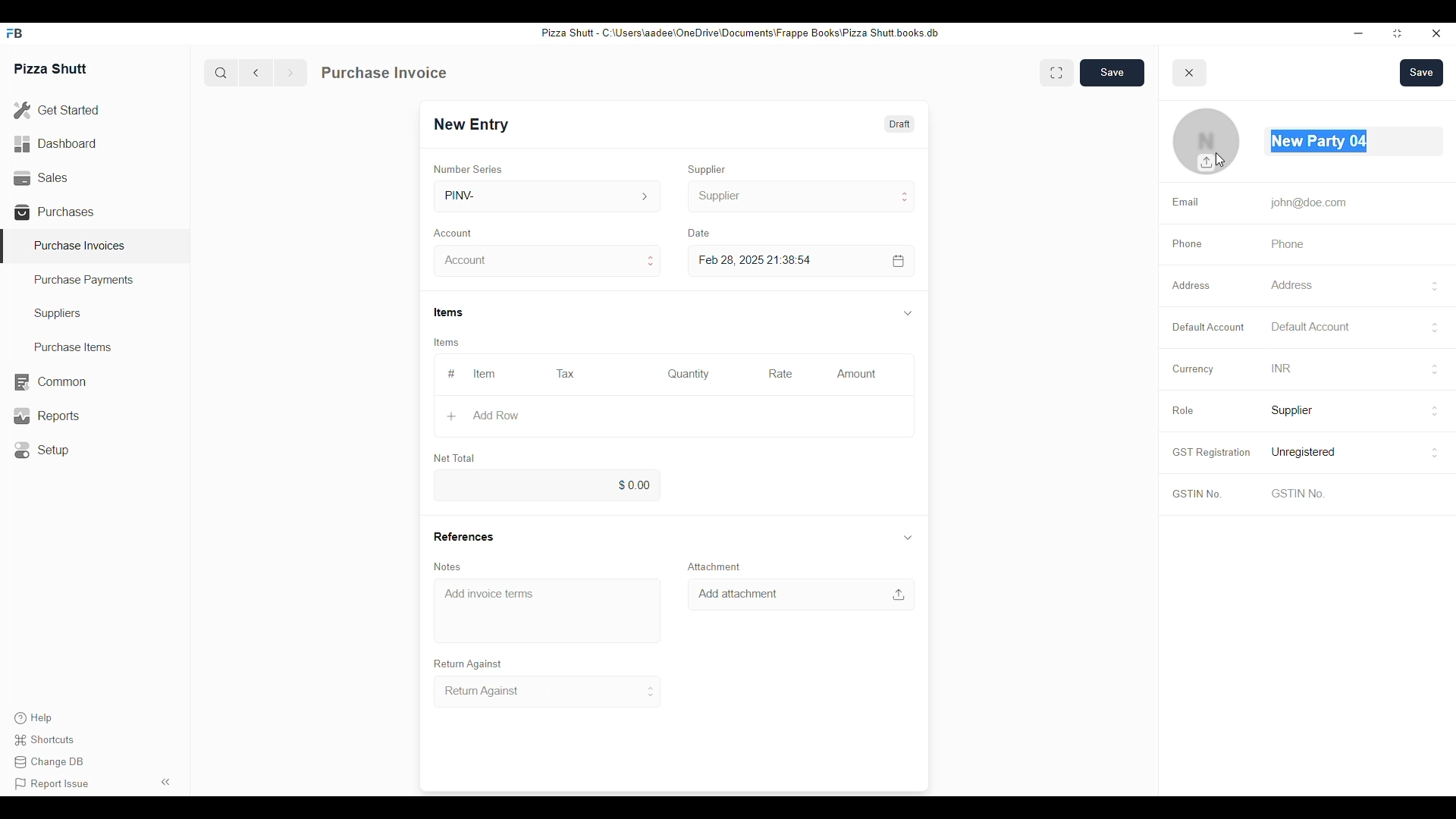  What do you see at coordinates (454, 458) in the screenshot?
I see `Net Total` at bounding box center [454, 458].